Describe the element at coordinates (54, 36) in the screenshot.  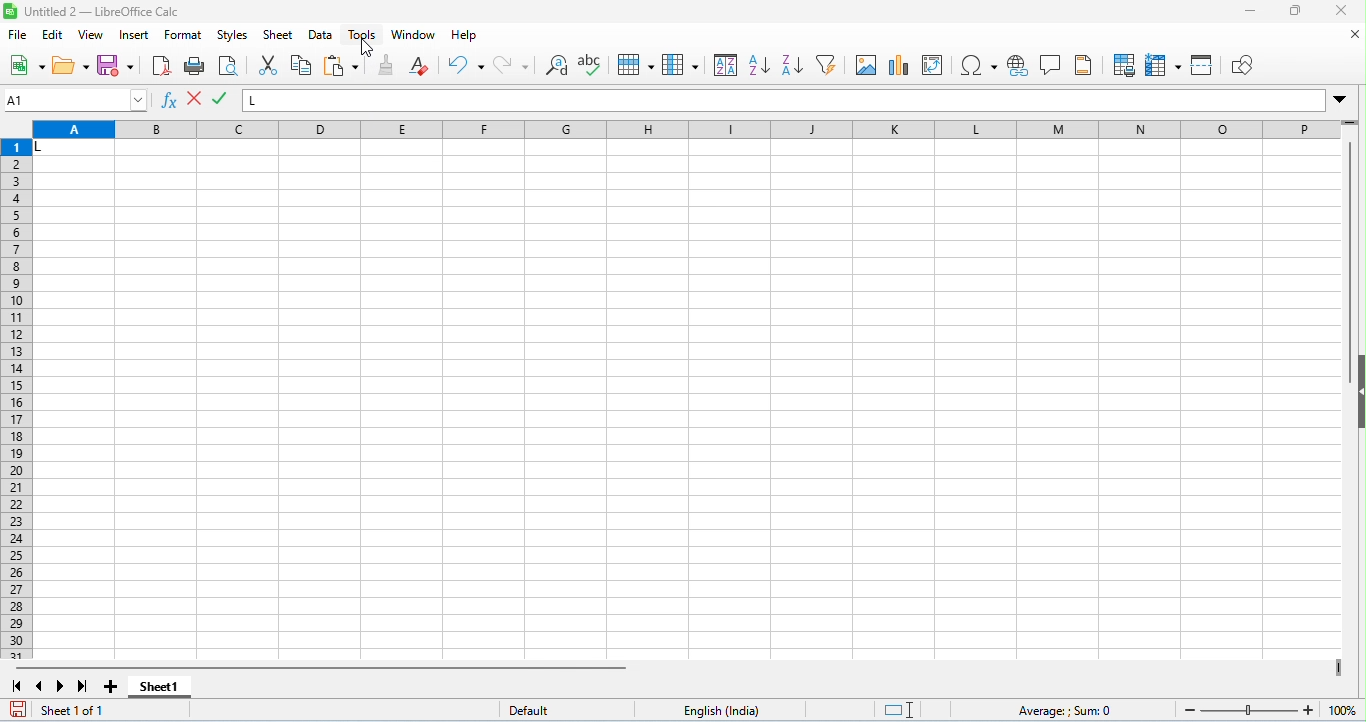
I see `edit` at that location.